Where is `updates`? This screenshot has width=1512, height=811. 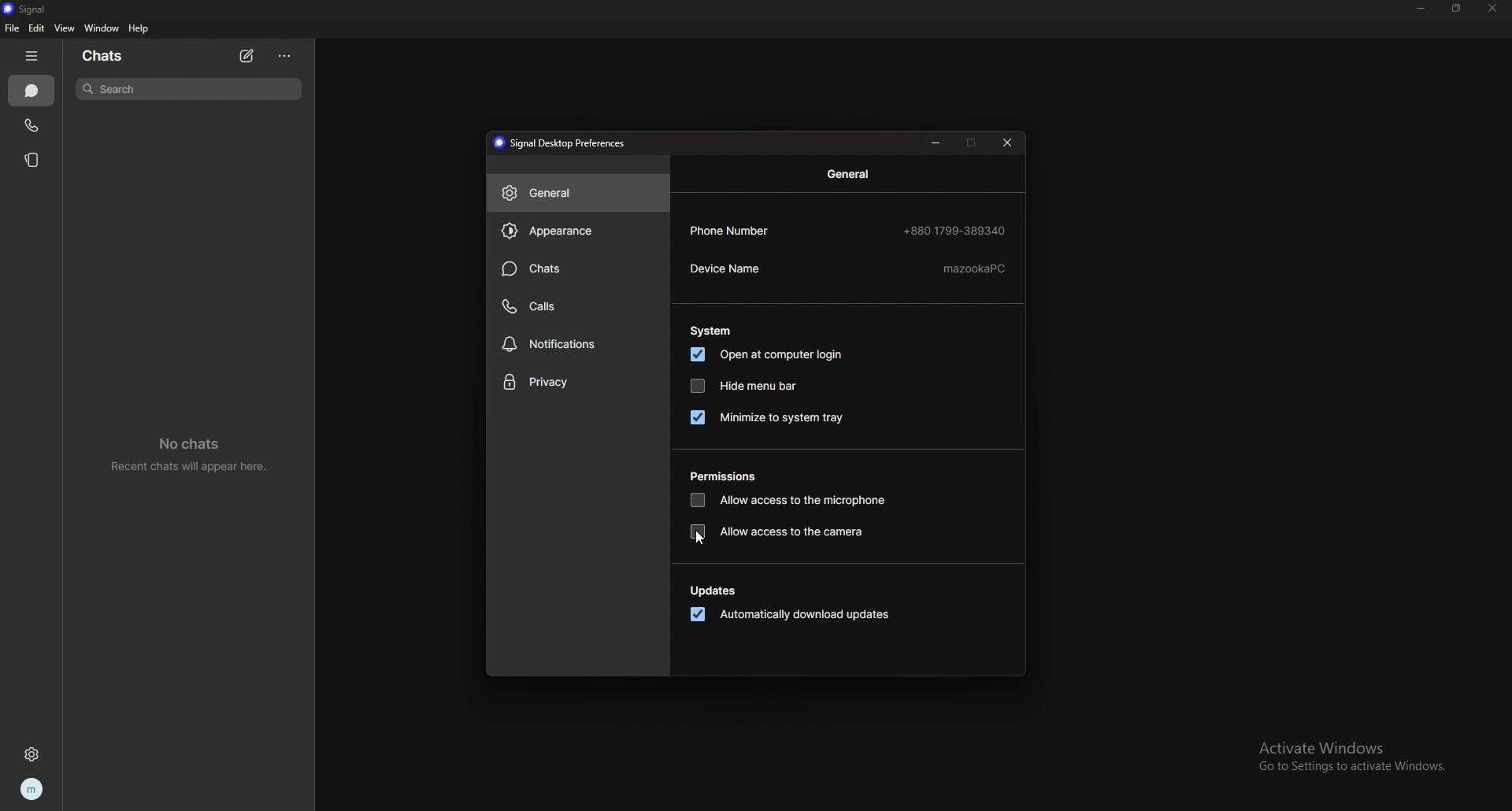 updates is located at coordinates (715, 591).